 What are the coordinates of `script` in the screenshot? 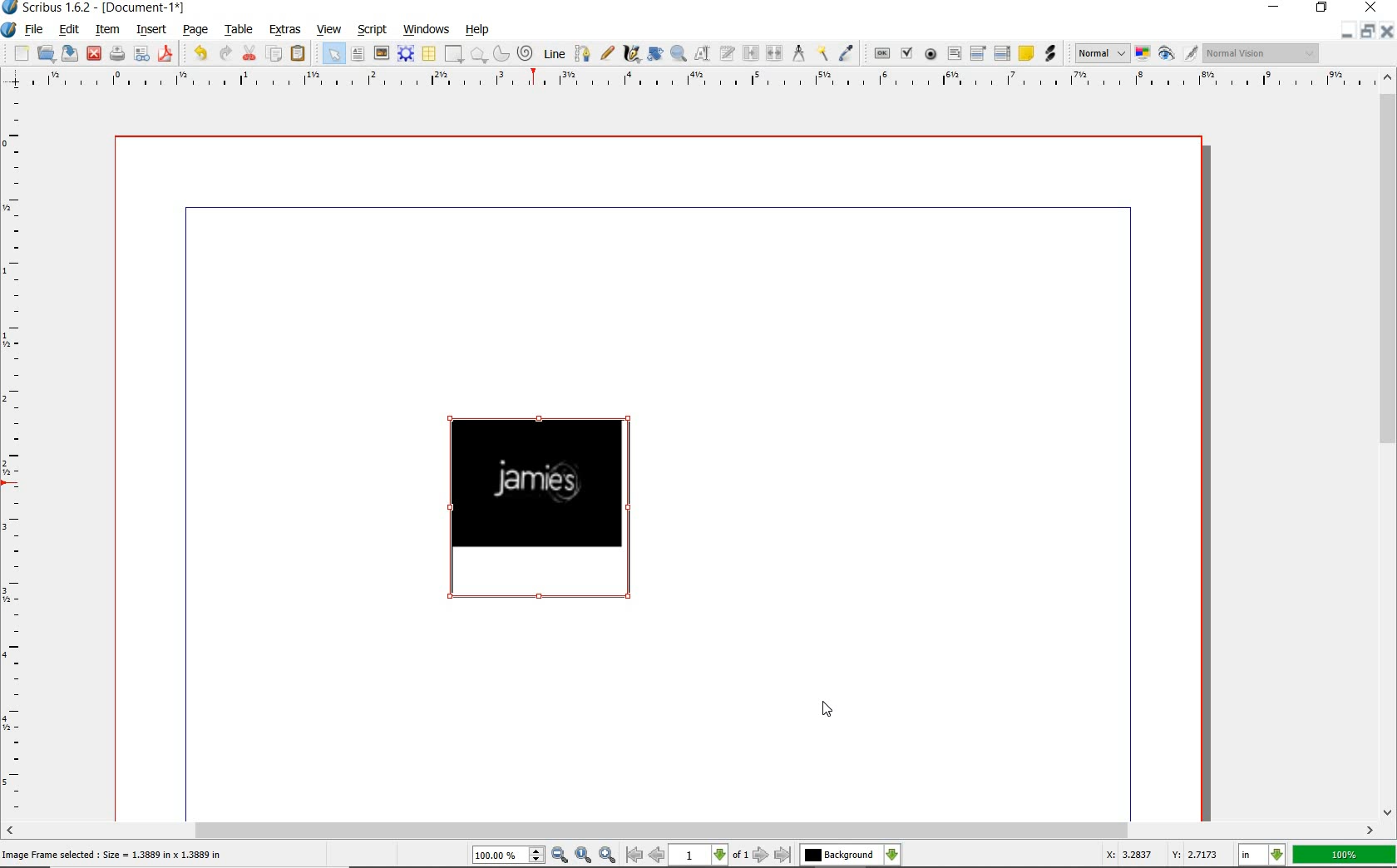 It's located at (372, 29).